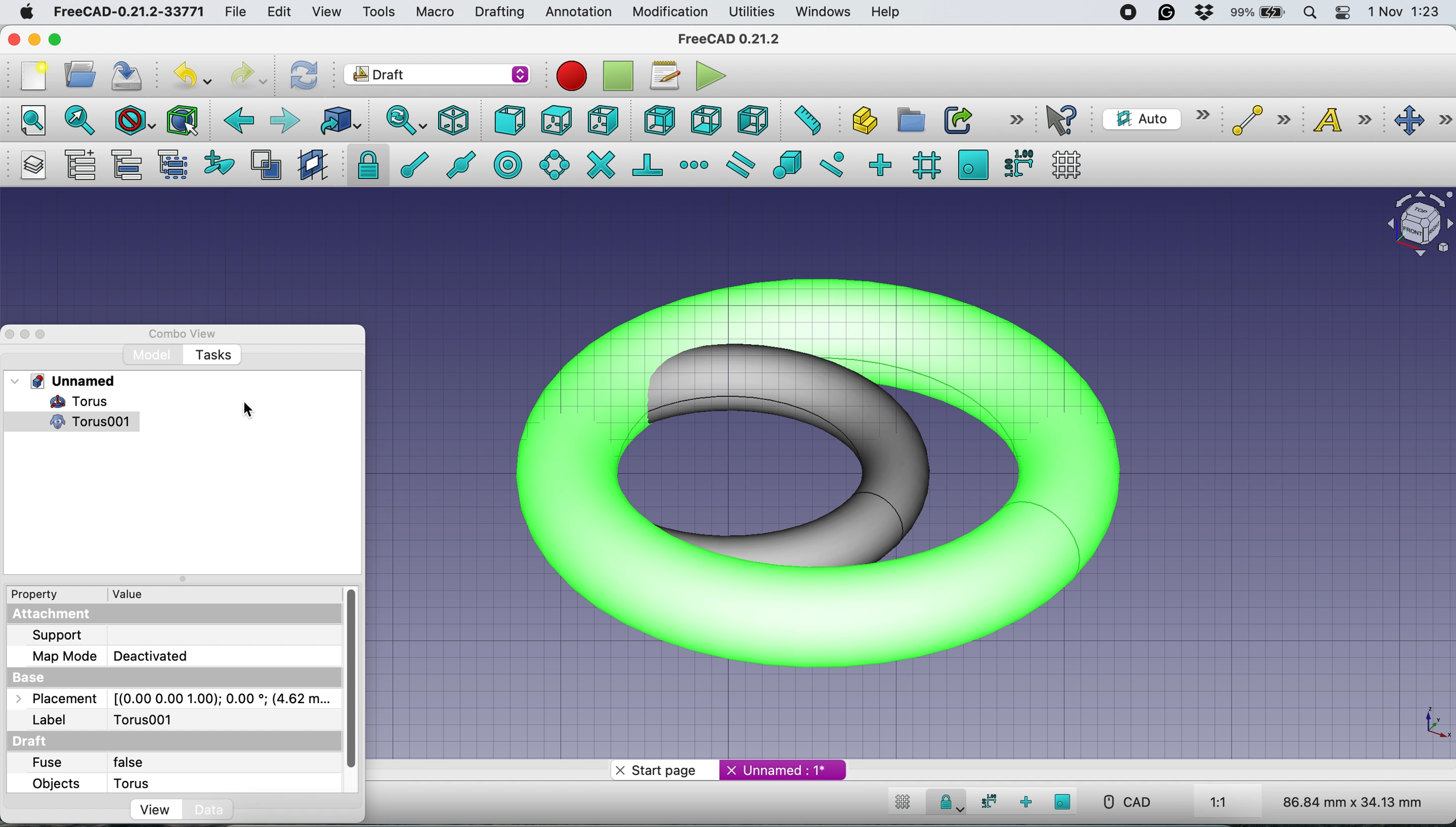 The image size is (1456, 827). What do you see at coordinates (47, 335) in the screenshot?
I see `Toggle Overlay` at bounding box center [47, 335].